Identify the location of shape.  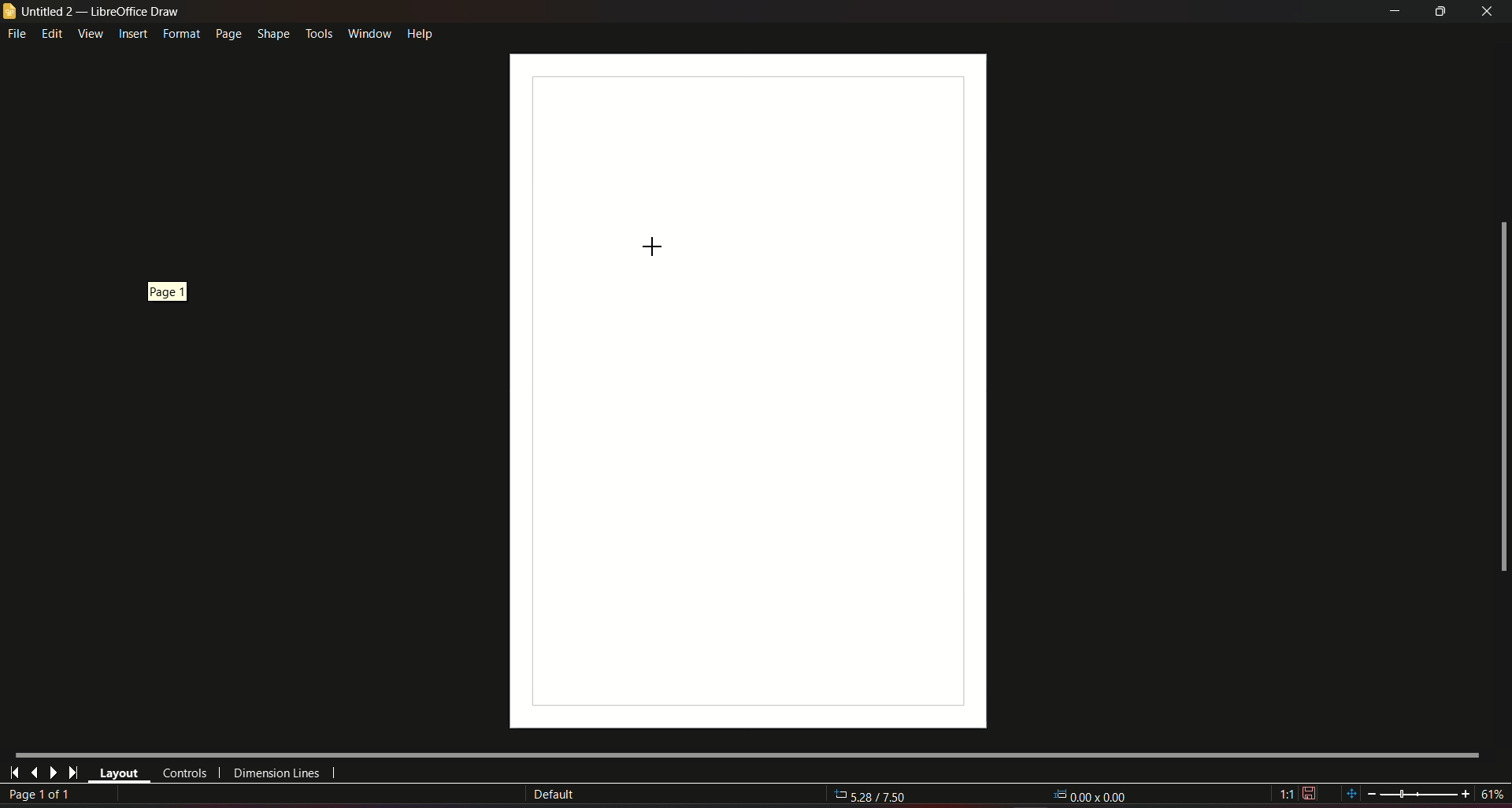
(272, 32).